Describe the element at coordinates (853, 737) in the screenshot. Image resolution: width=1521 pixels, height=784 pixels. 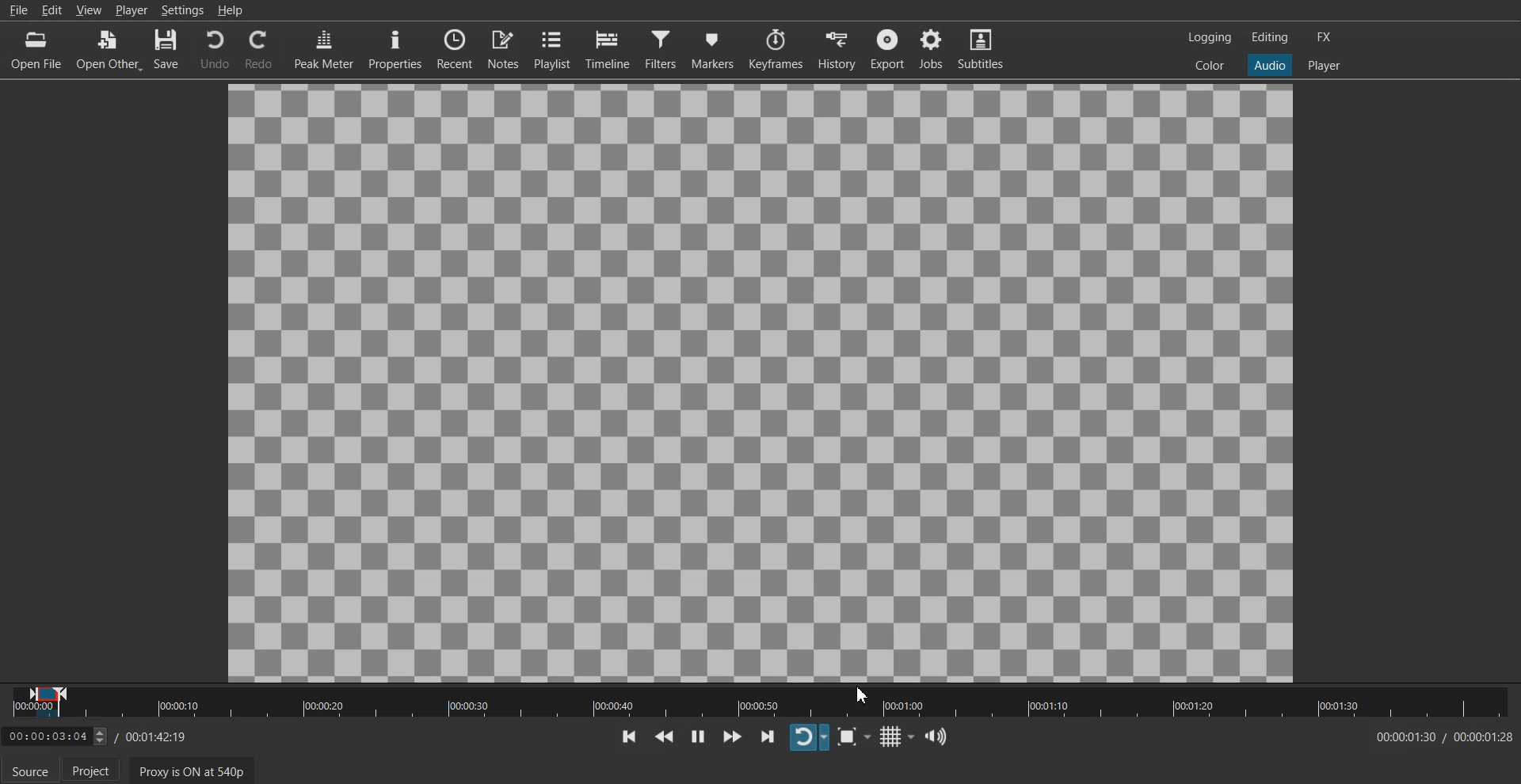
I see `Toggle Zoom` at that location.